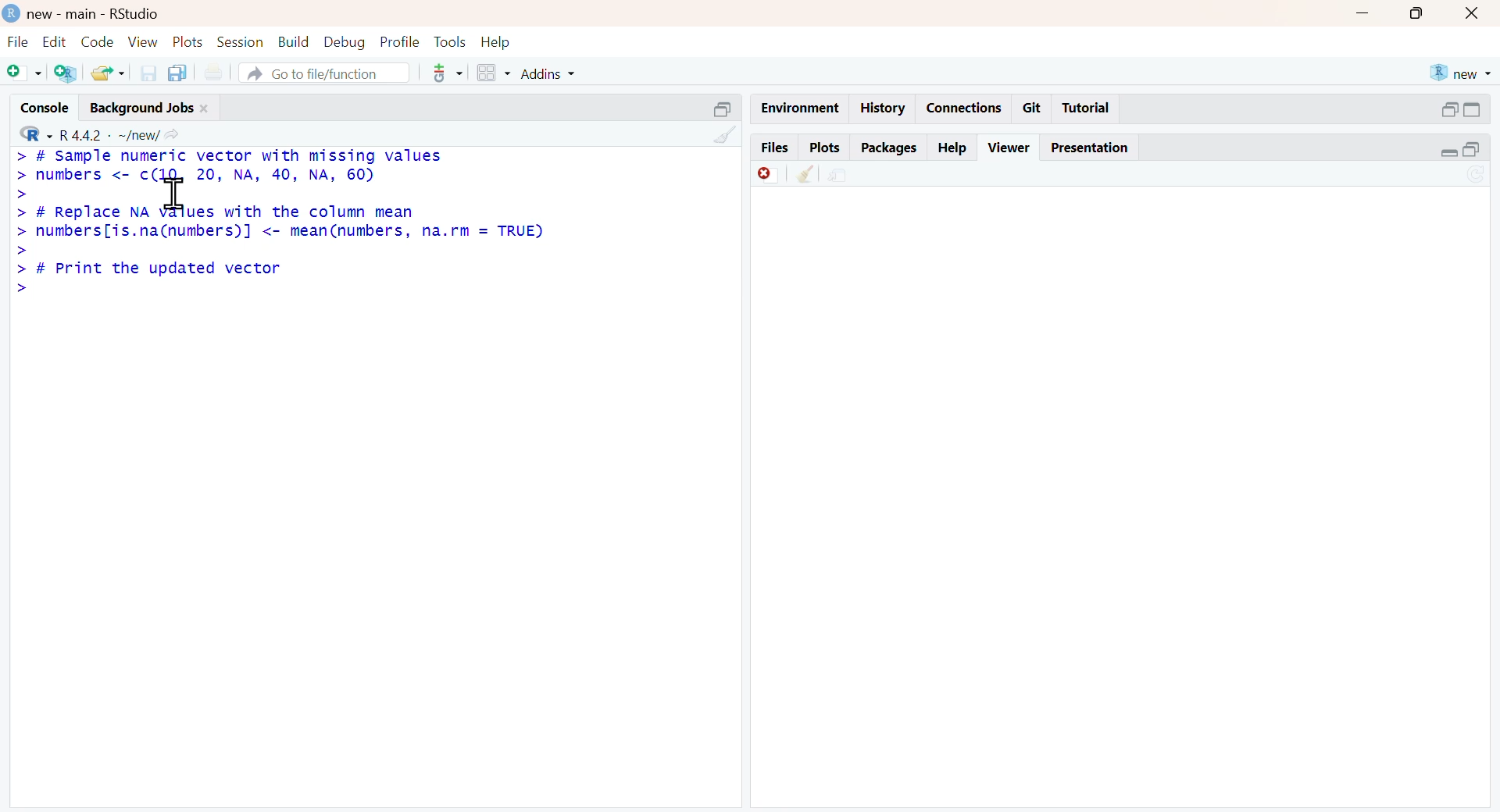 This screenshot has width=1500, height=812. Describe the element at coordinates (968, 107) in the screenshot. I see `connections` at that location.